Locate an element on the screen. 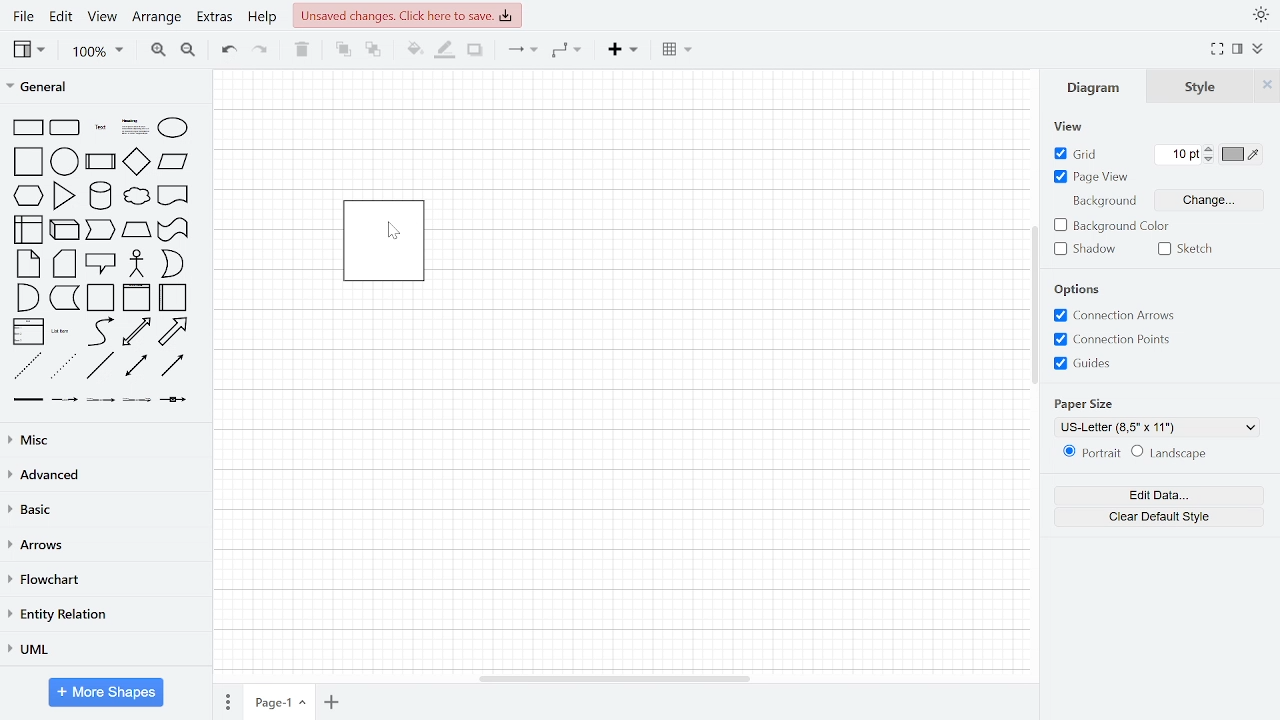  collapse is located at coordinates (1259, 48).